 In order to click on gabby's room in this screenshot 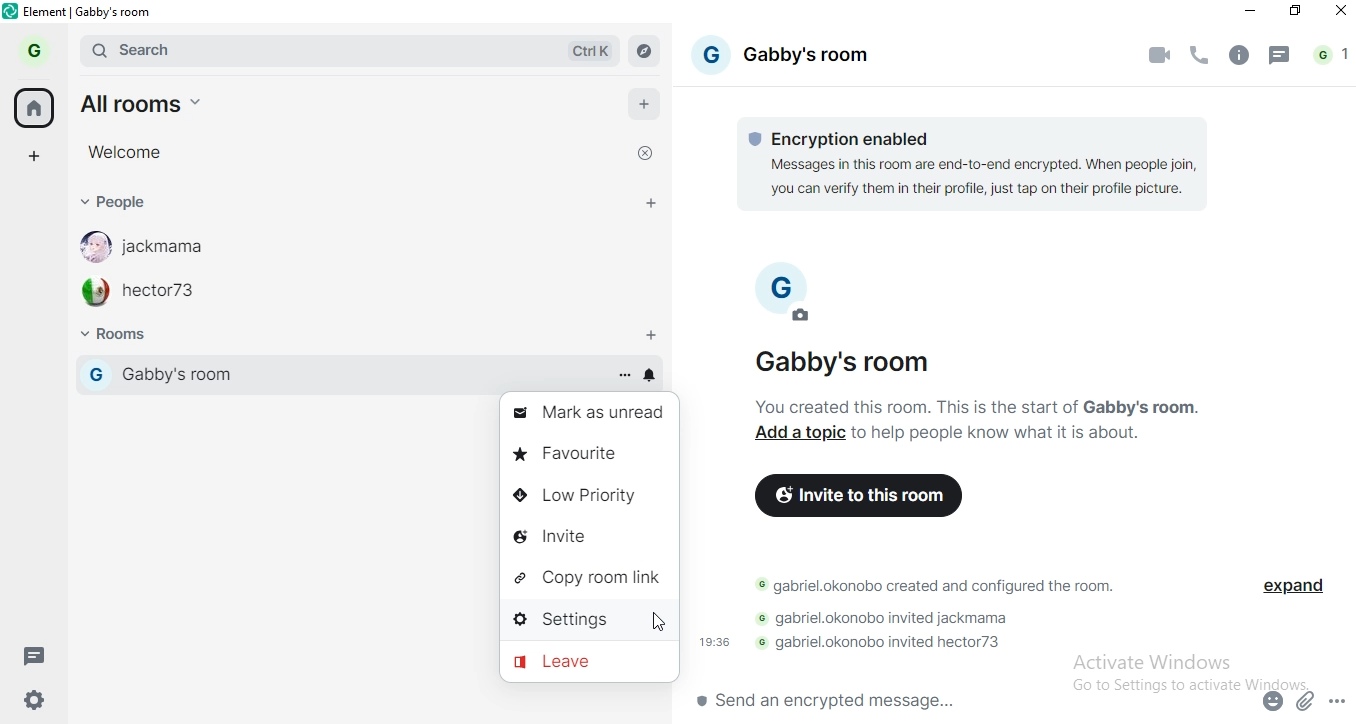, I will do `click(871, 362)`.